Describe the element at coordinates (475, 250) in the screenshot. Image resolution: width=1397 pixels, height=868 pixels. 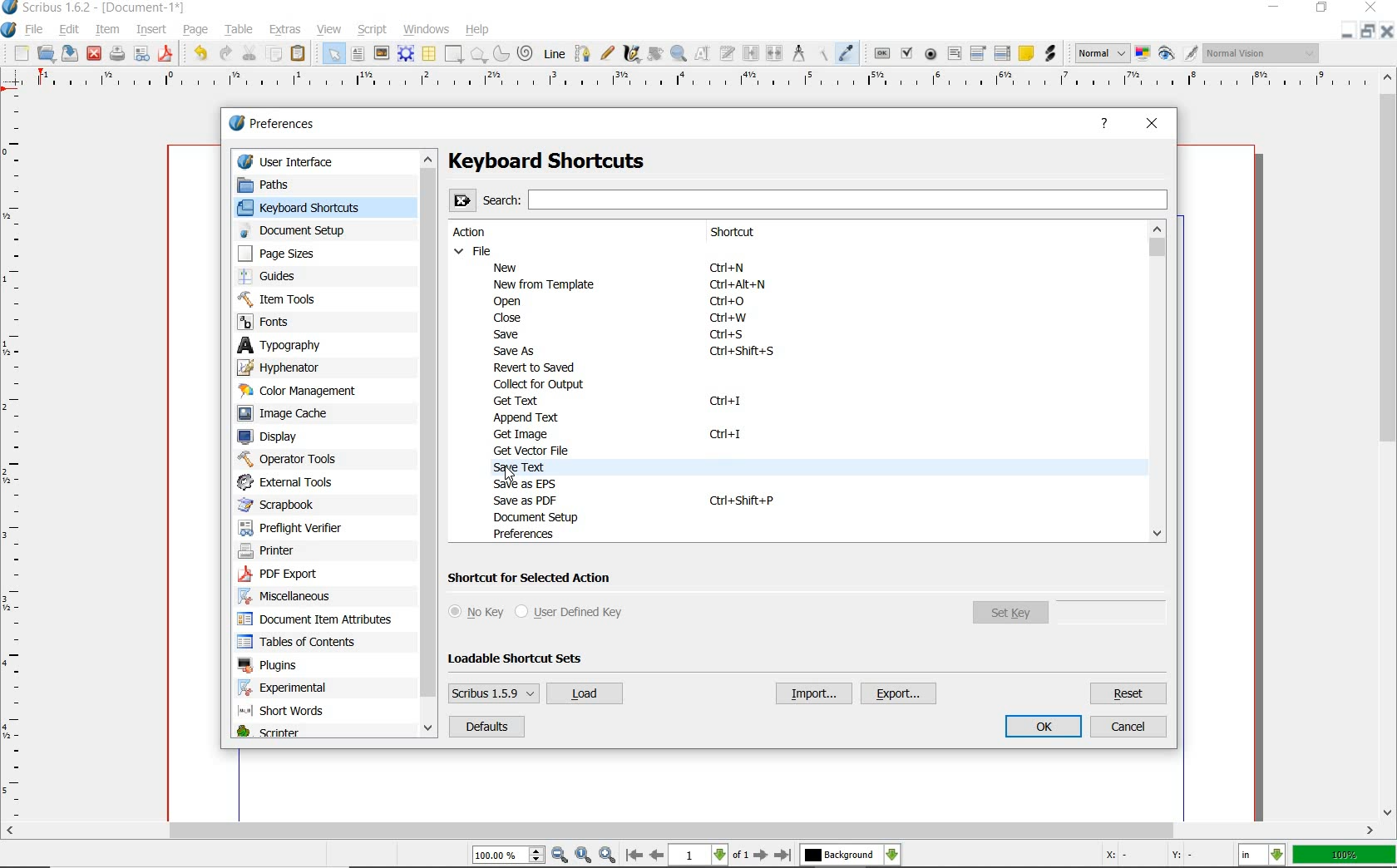
I see `file` at that location.